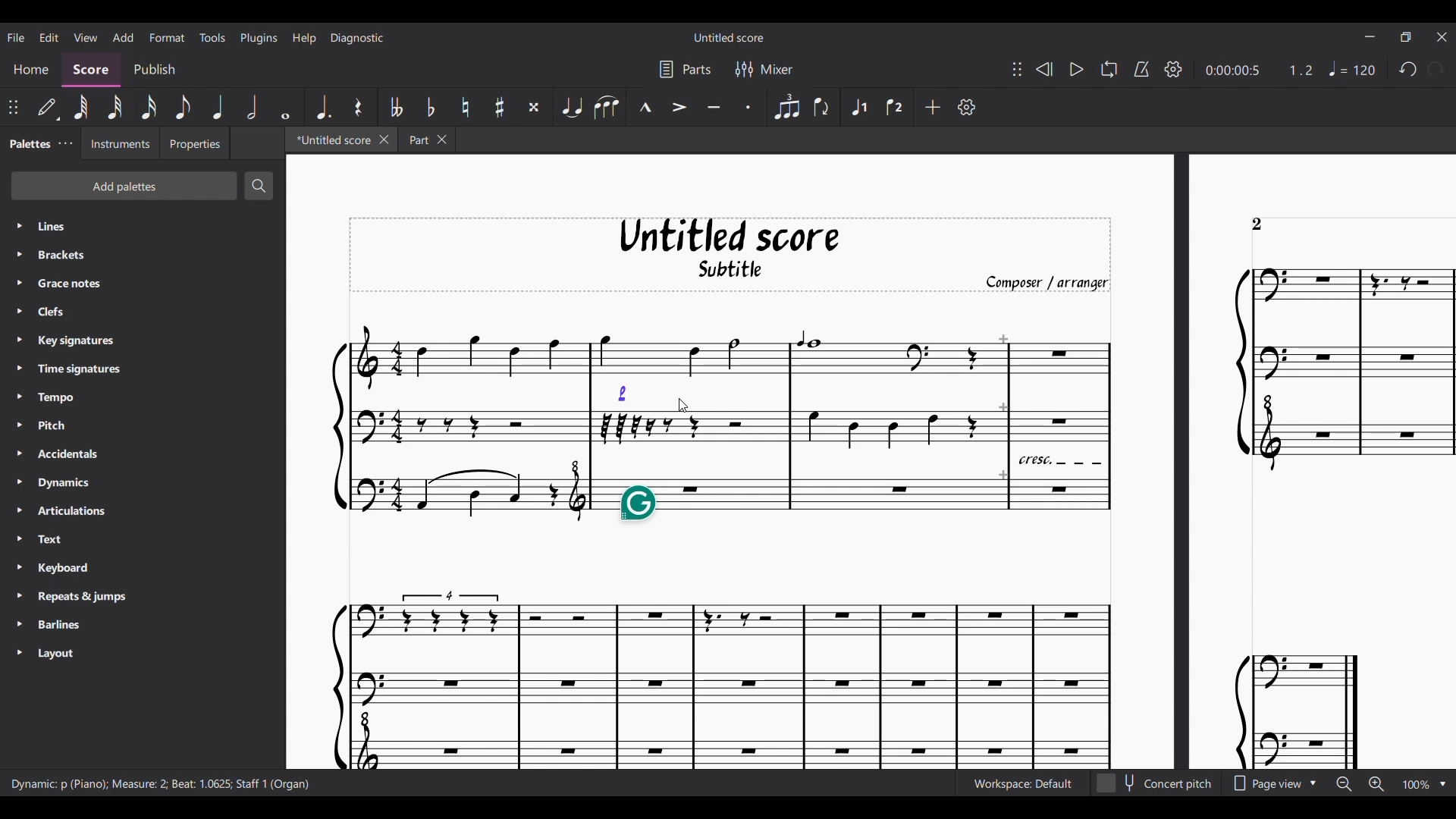 This screenshot has height=819, width=1456. I want to click on Plugins menu, so click(259, 38).